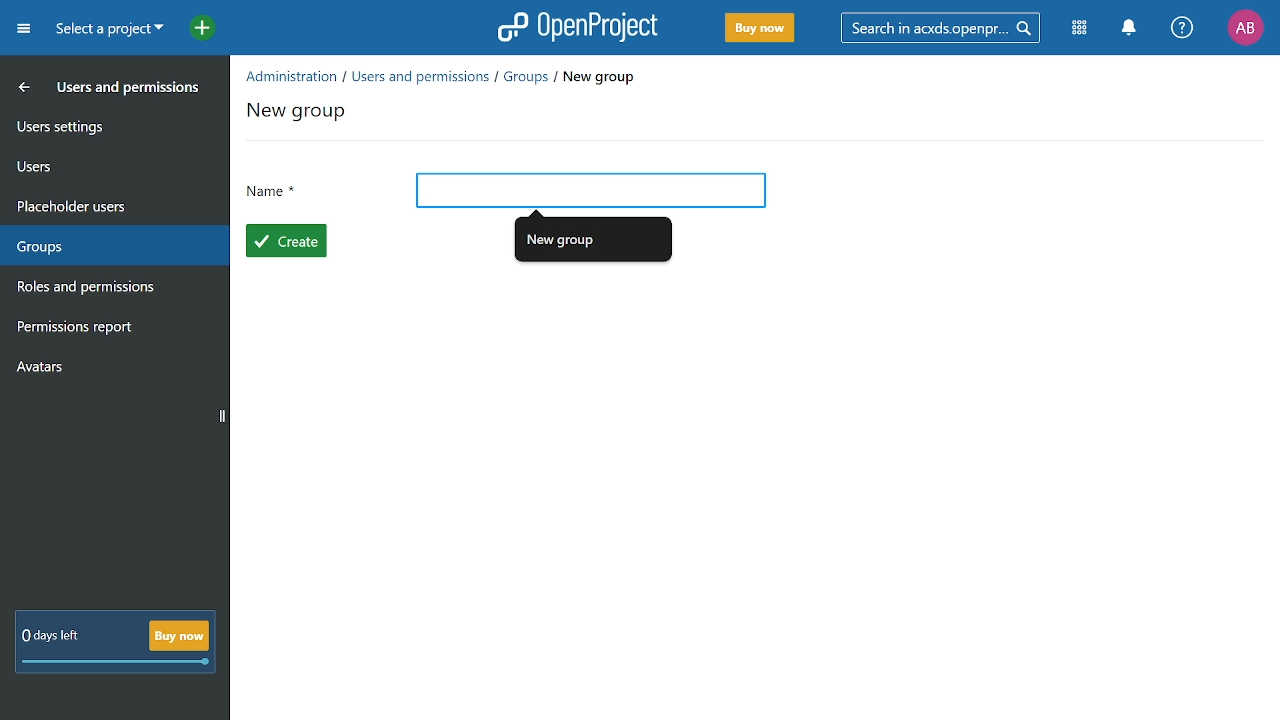 The image size is (1280, 720). What do you see at coordinates (222, 417) in the screenshot?
I see `Vertical scrollbar` at bounding box center [222, 417].